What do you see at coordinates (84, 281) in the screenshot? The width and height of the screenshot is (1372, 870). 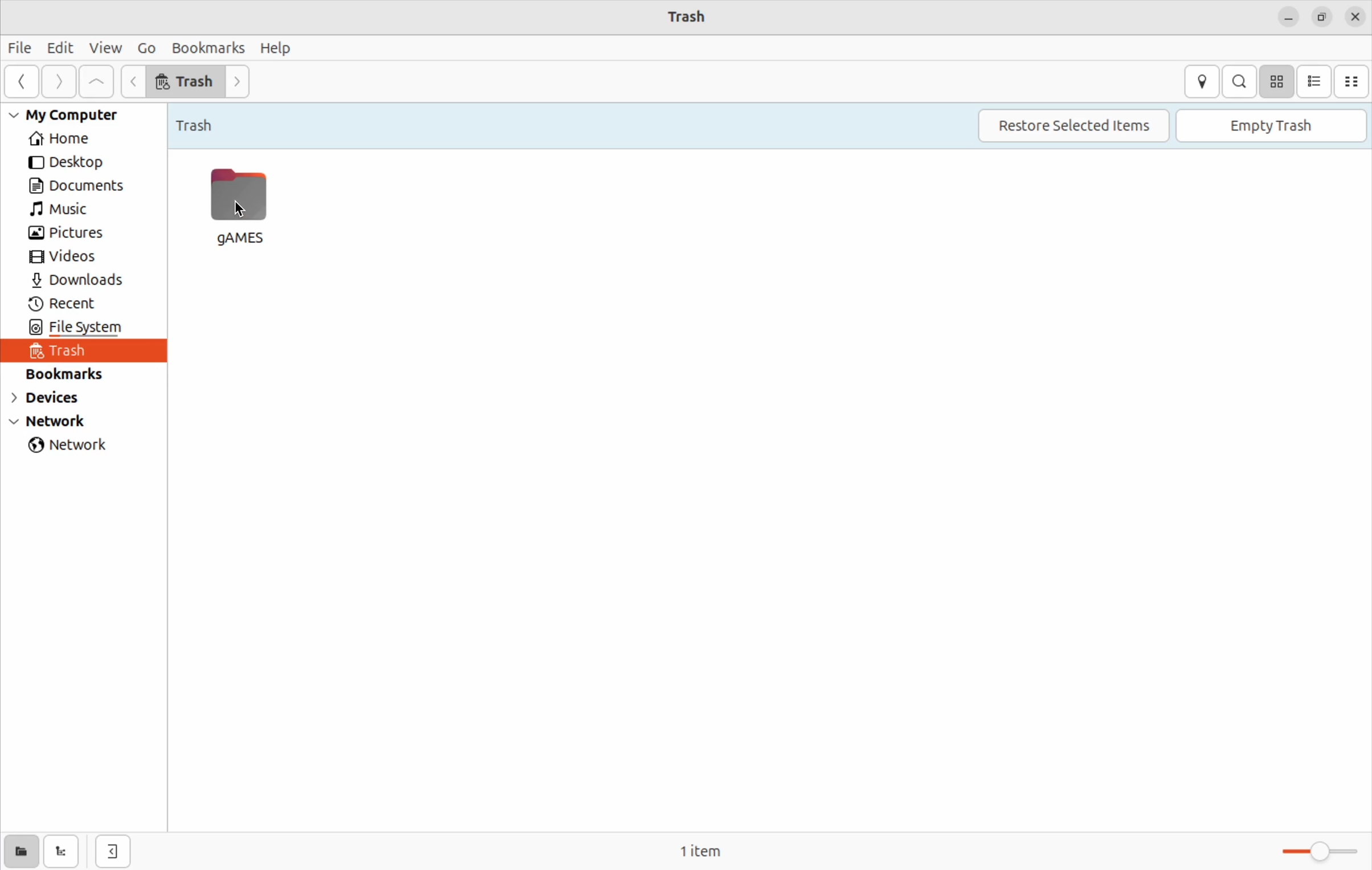 I see `downlaods` at bounding box center [84, 281].